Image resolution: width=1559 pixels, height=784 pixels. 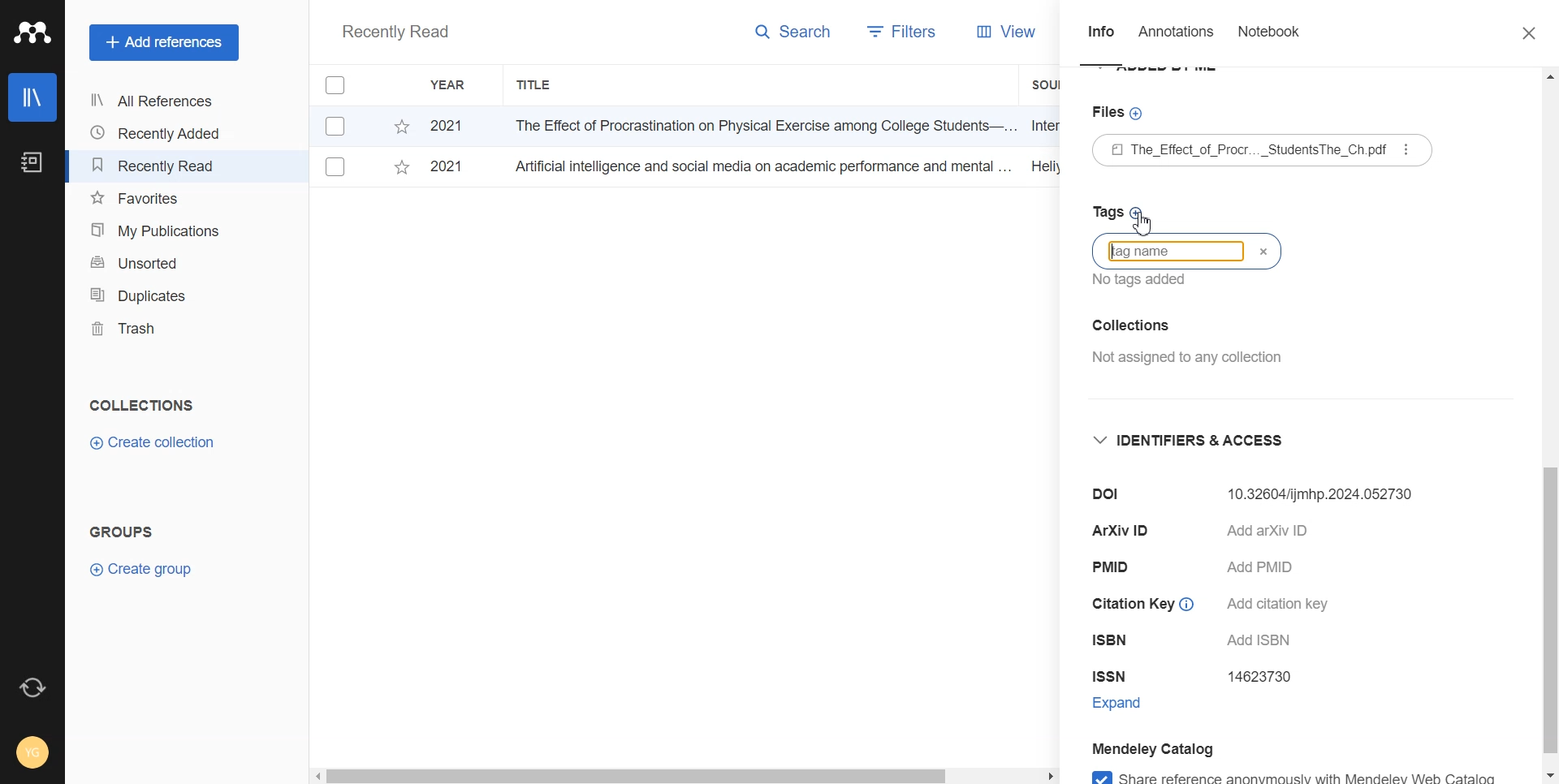 I want to click on Cursor, so click(x=1146, y=226).